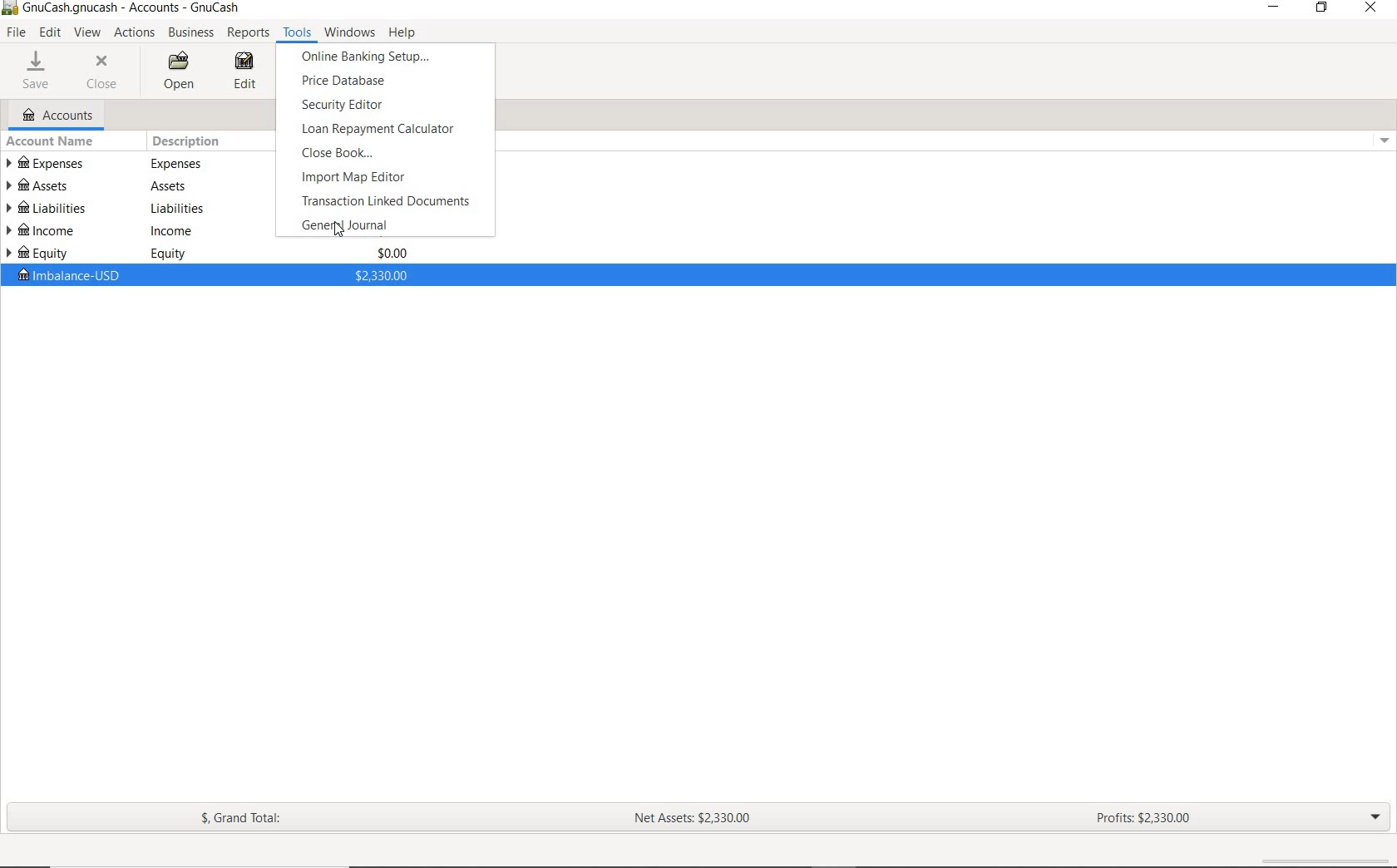  Describe the element at coordinates (1140, 818) in the screenshot. I see `PROFITS` at that location.